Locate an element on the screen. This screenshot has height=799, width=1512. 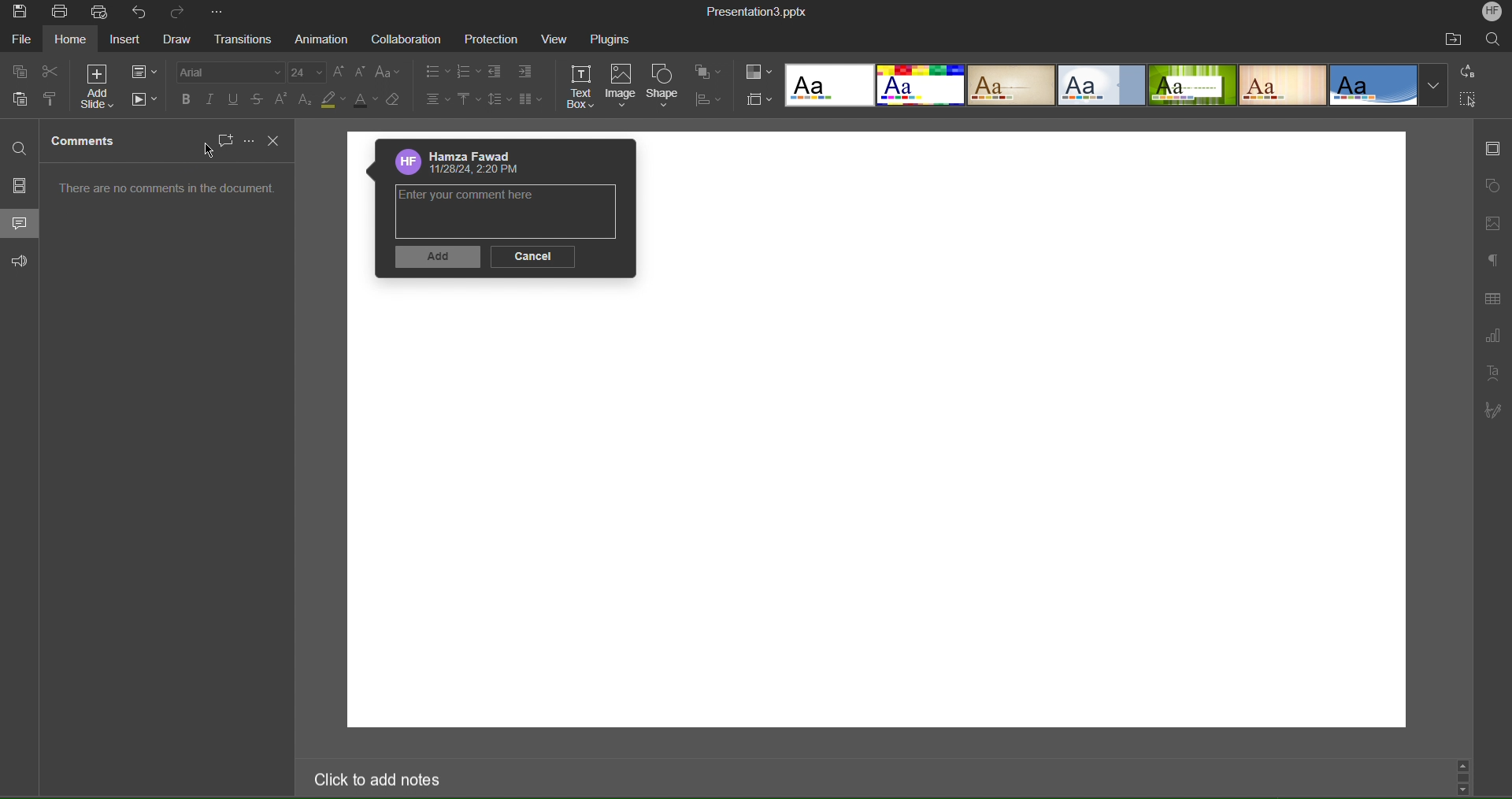
Underline is located at coordinates (234, 99).